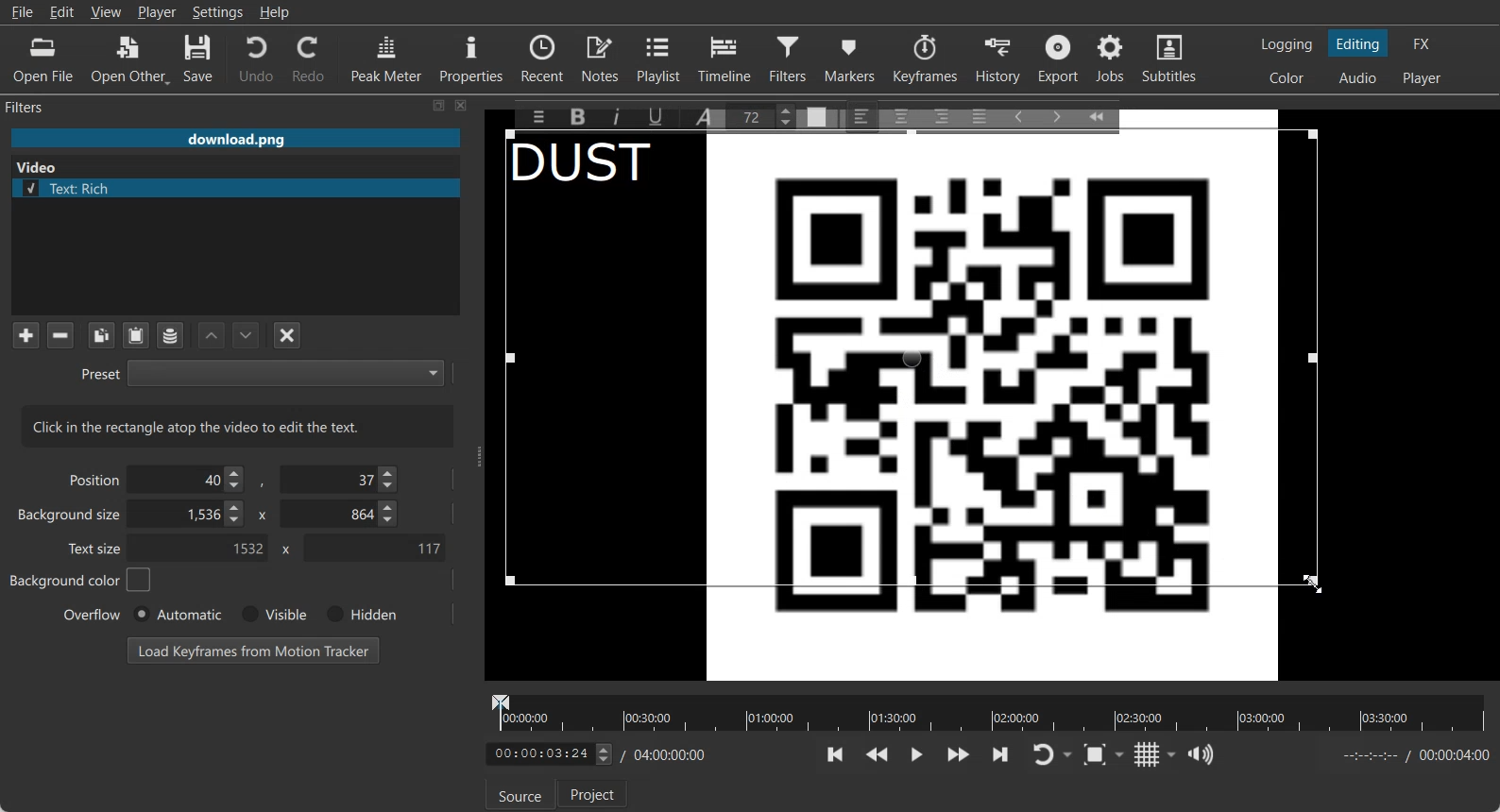 The image size is (1500, 812). I want to click on Load Keyframe from Motion Tracker, so click(253, 650).